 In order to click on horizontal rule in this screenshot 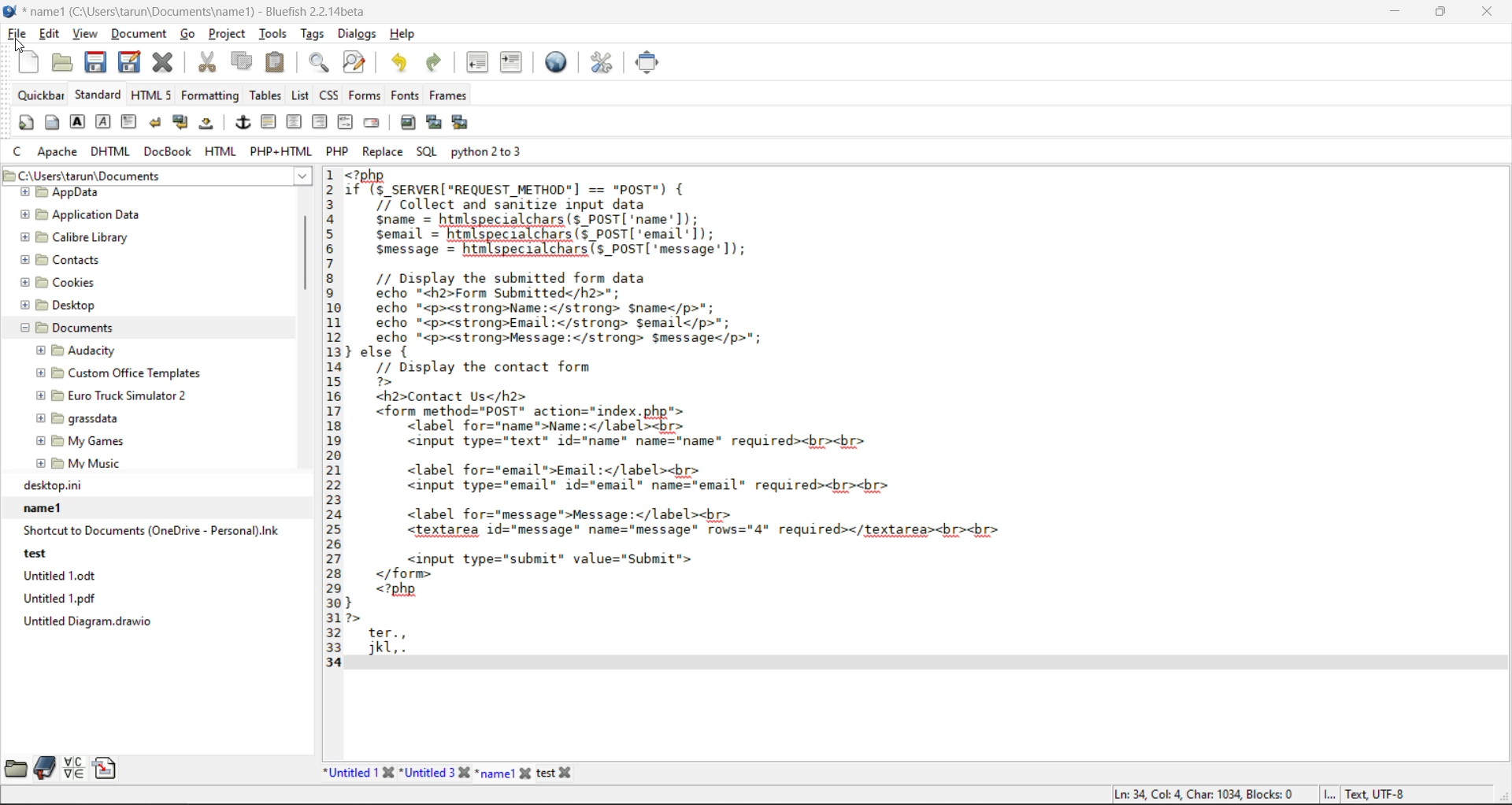, I will do `click(267, 123)`.